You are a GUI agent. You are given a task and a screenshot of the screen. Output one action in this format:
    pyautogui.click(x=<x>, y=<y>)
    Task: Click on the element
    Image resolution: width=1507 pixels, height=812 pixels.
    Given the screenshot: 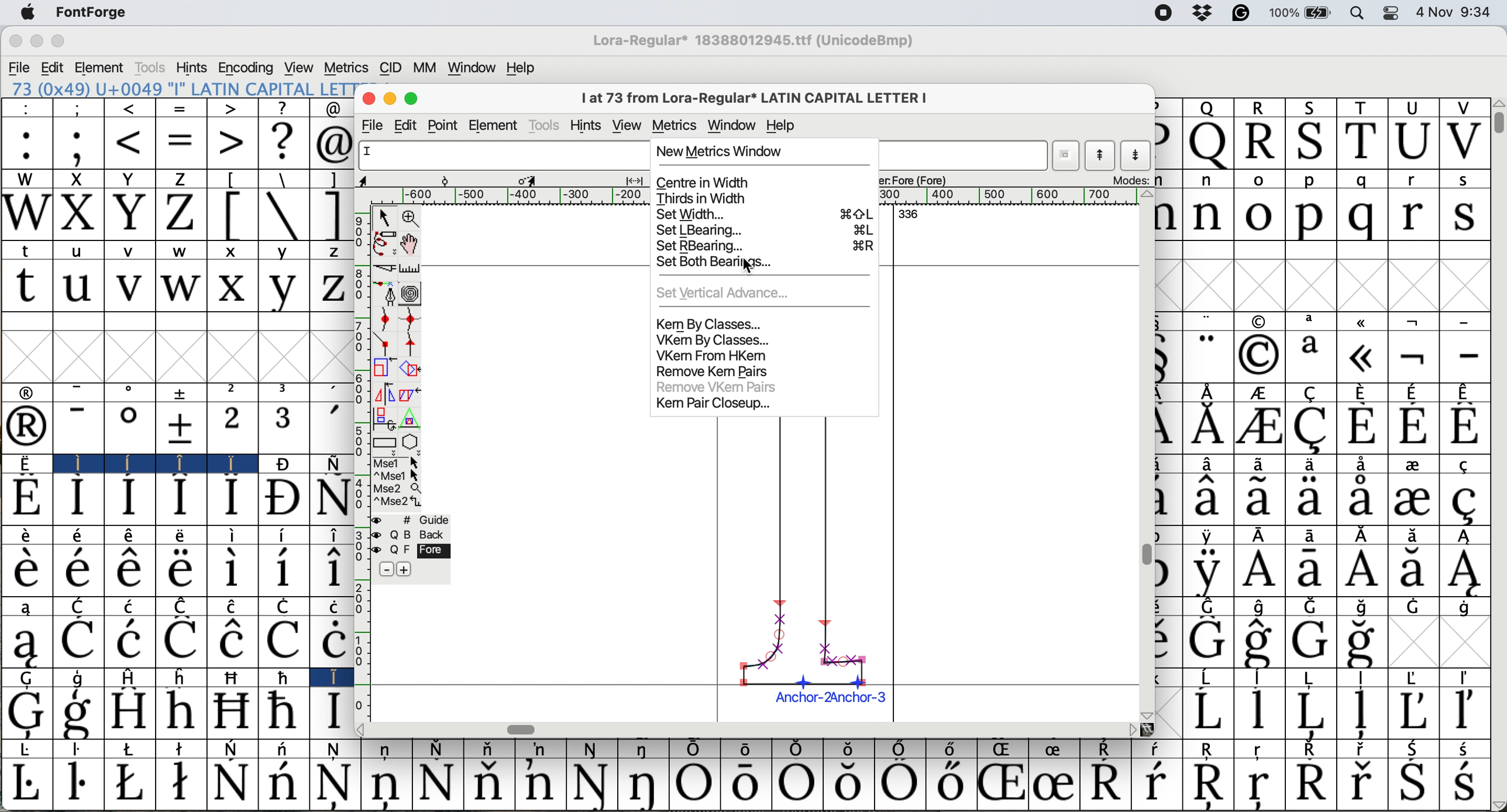 What is the action you would take?
    pyautogui.click(x=494, y=124)
    